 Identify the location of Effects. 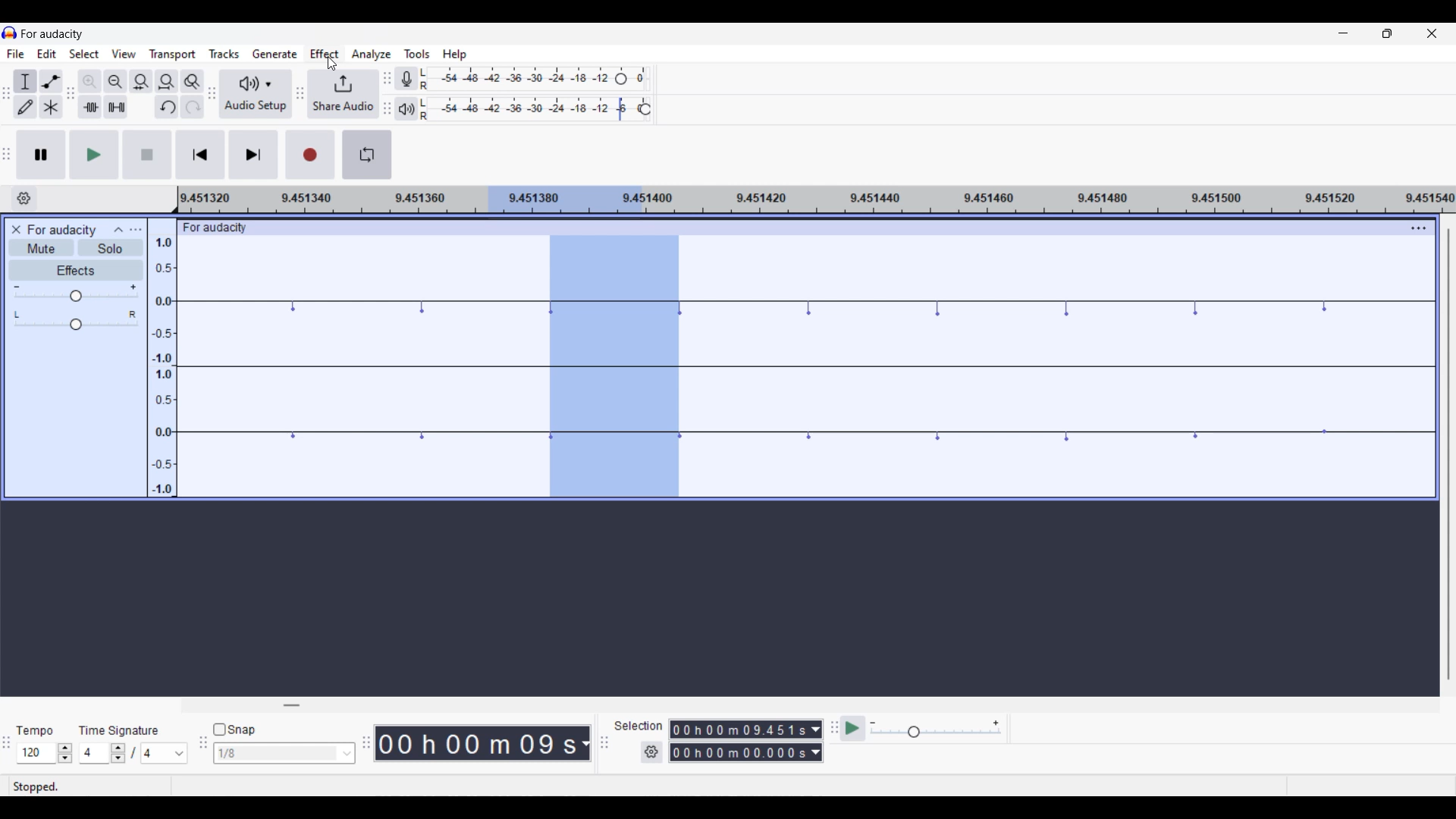
(77, 270).